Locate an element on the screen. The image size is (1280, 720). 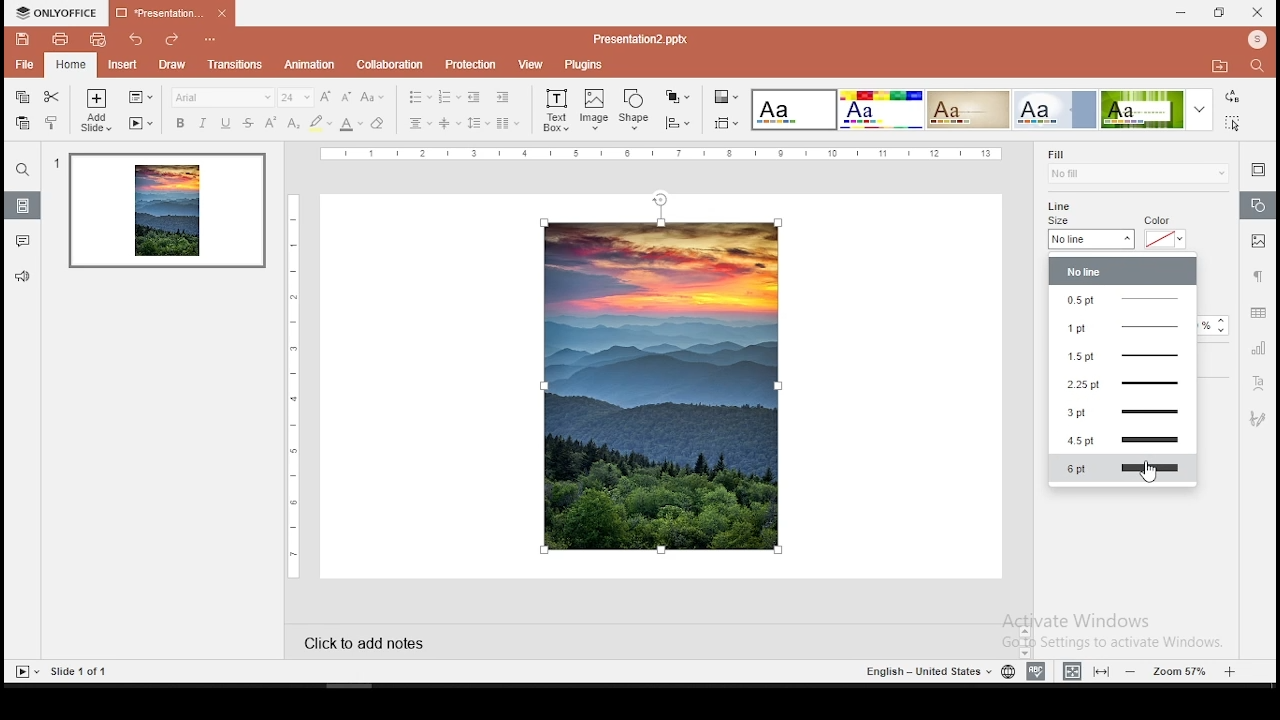
protection is located at coordinates (472, 66).